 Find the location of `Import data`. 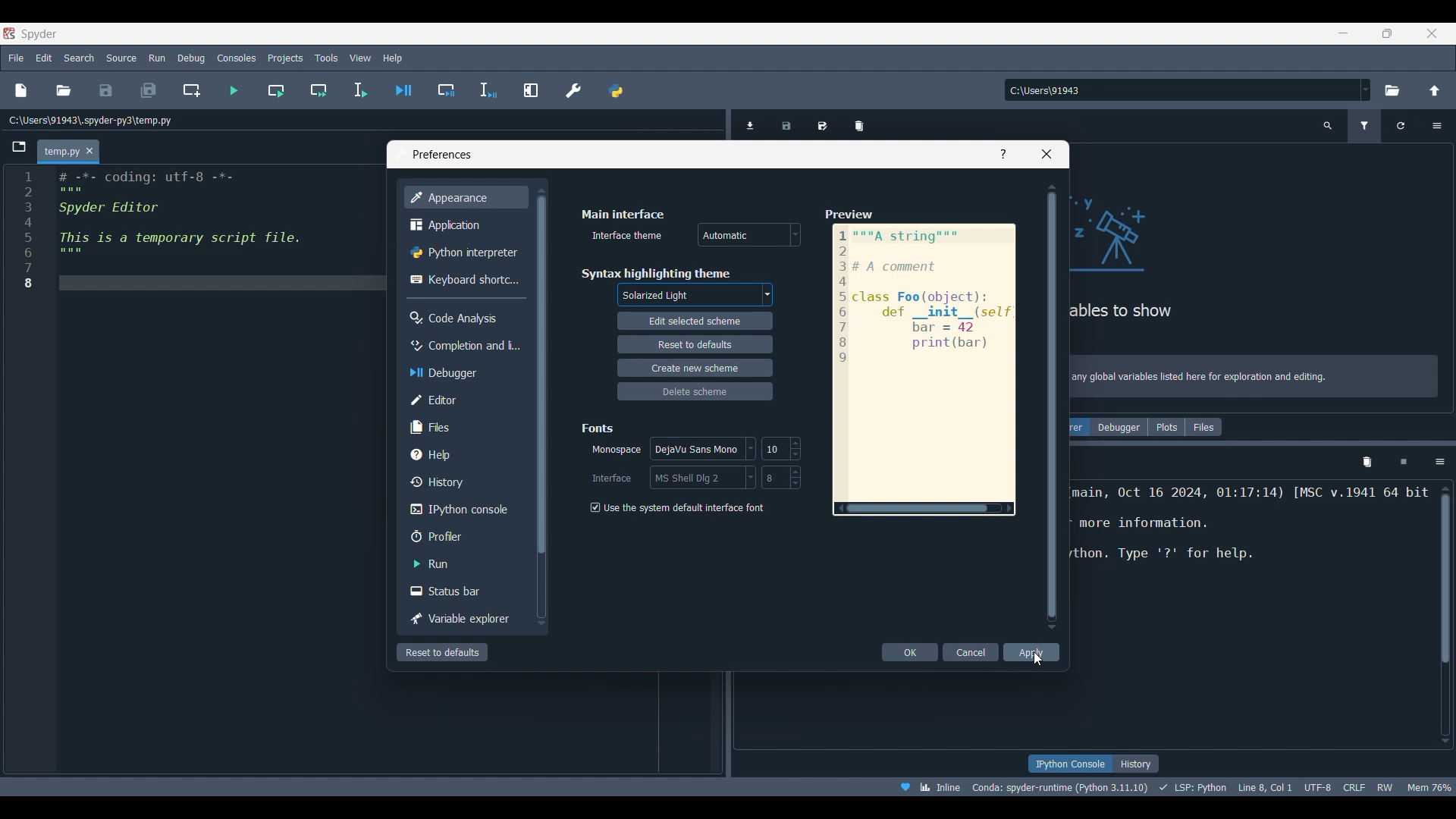

Import data is located at coordinates (752, 125).